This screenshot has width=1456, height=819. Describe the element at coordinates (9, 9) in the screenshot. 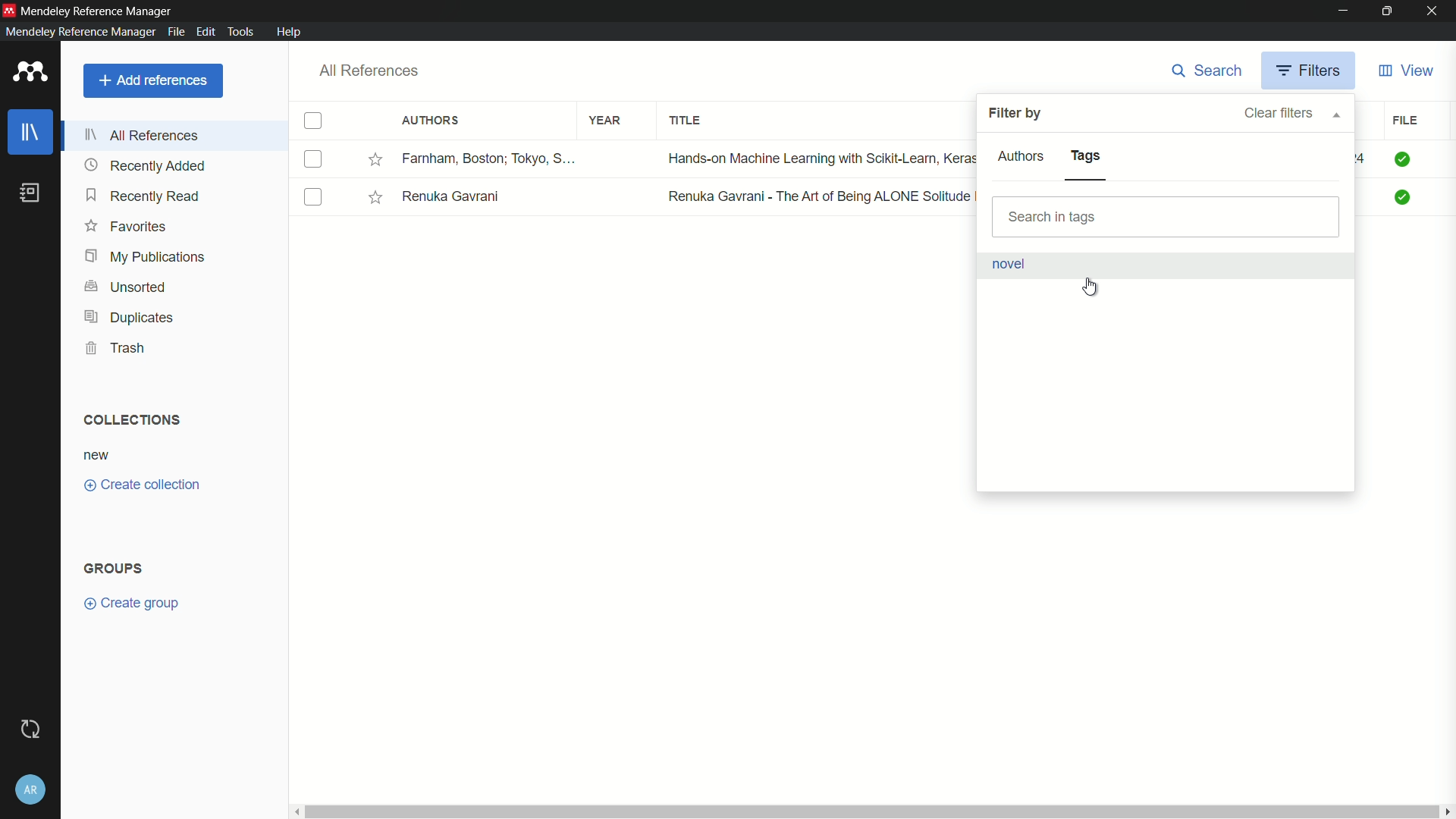

I see `app icon` at that location.